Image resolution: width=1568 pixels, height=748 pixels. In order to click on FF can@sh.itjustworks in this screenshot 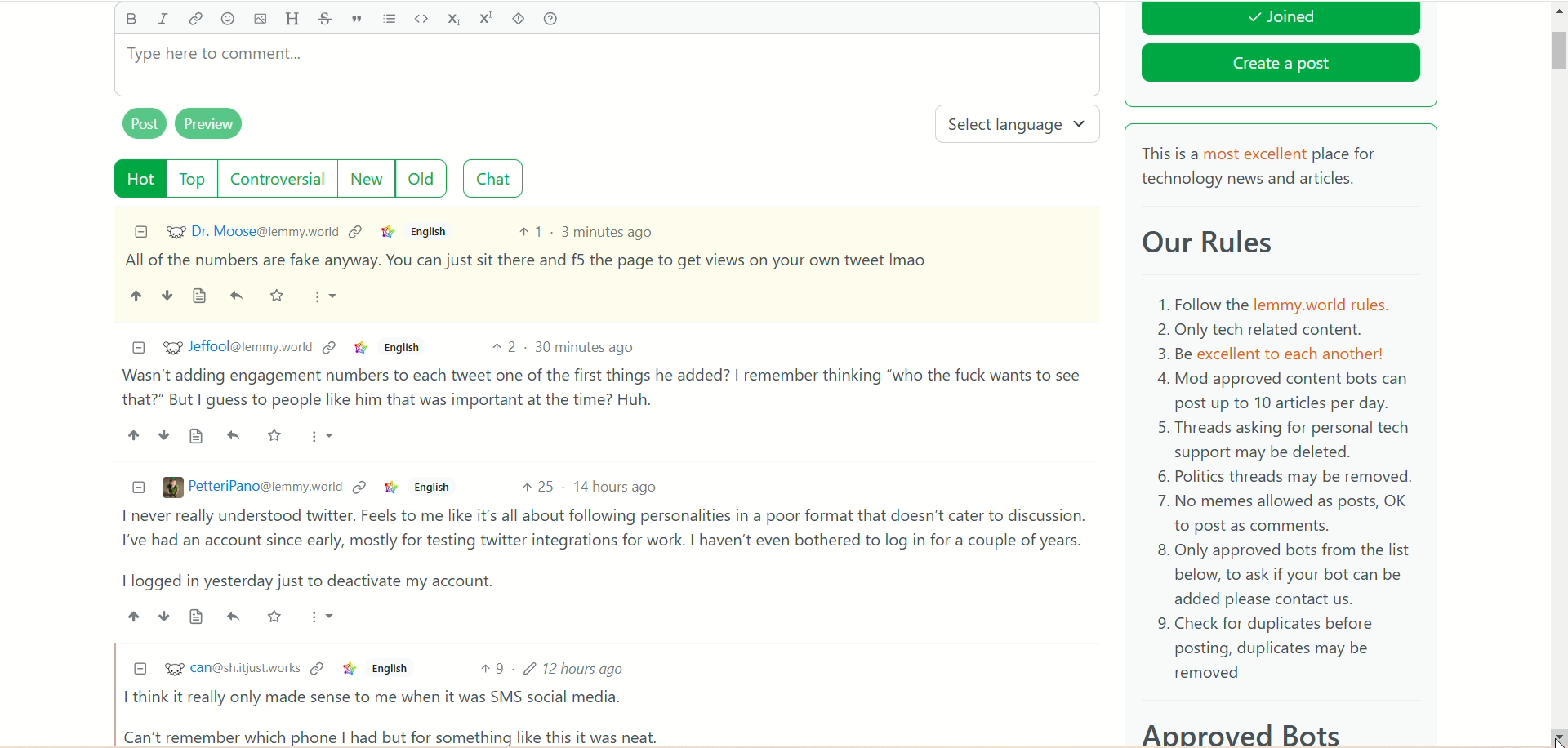, I will do `click(231, 670)`.